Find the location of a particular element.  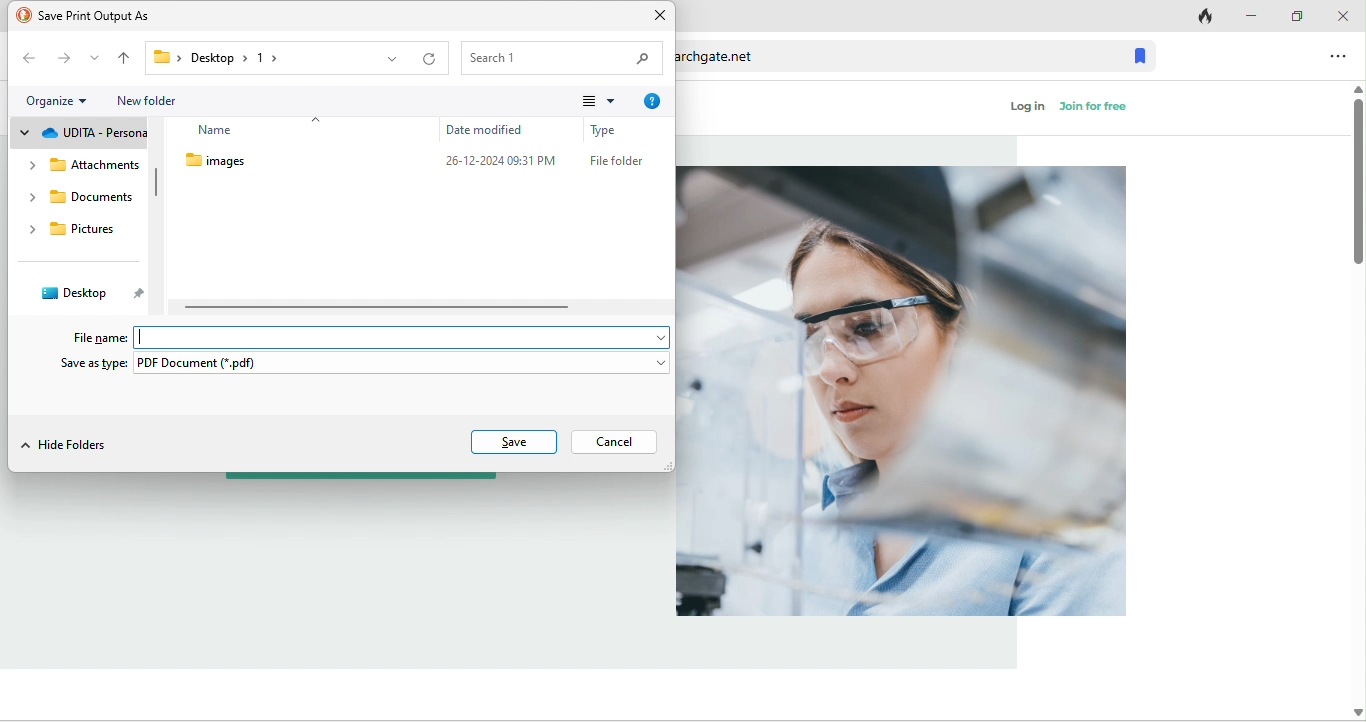

minimize is located at coordinates (1248, 14).